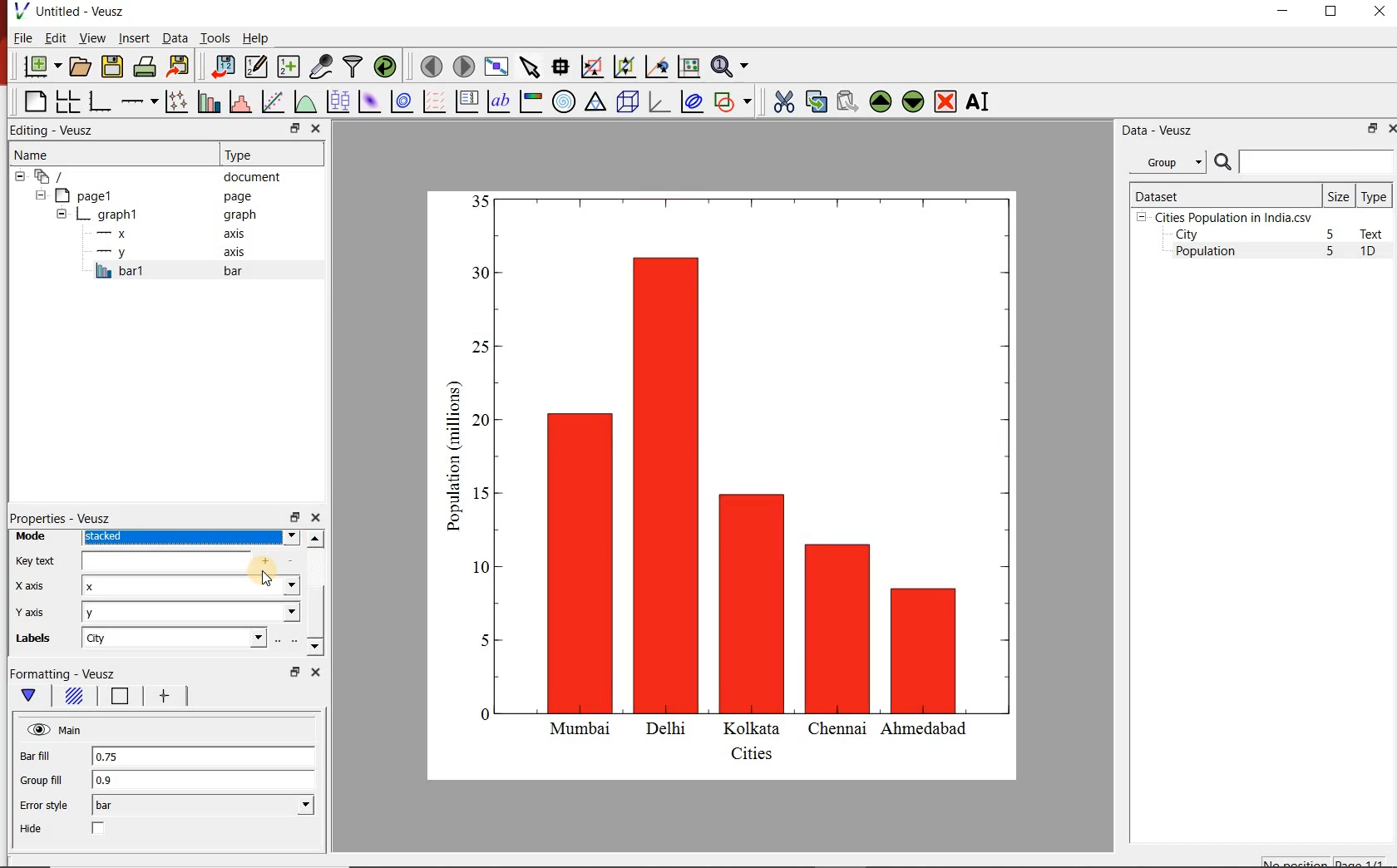 This screenshot has width=1397, height=868. What do you see at coordinates (692, 102) in the screenshot?
I see `plot covariance ellipses` at bounding box center [692, 102].